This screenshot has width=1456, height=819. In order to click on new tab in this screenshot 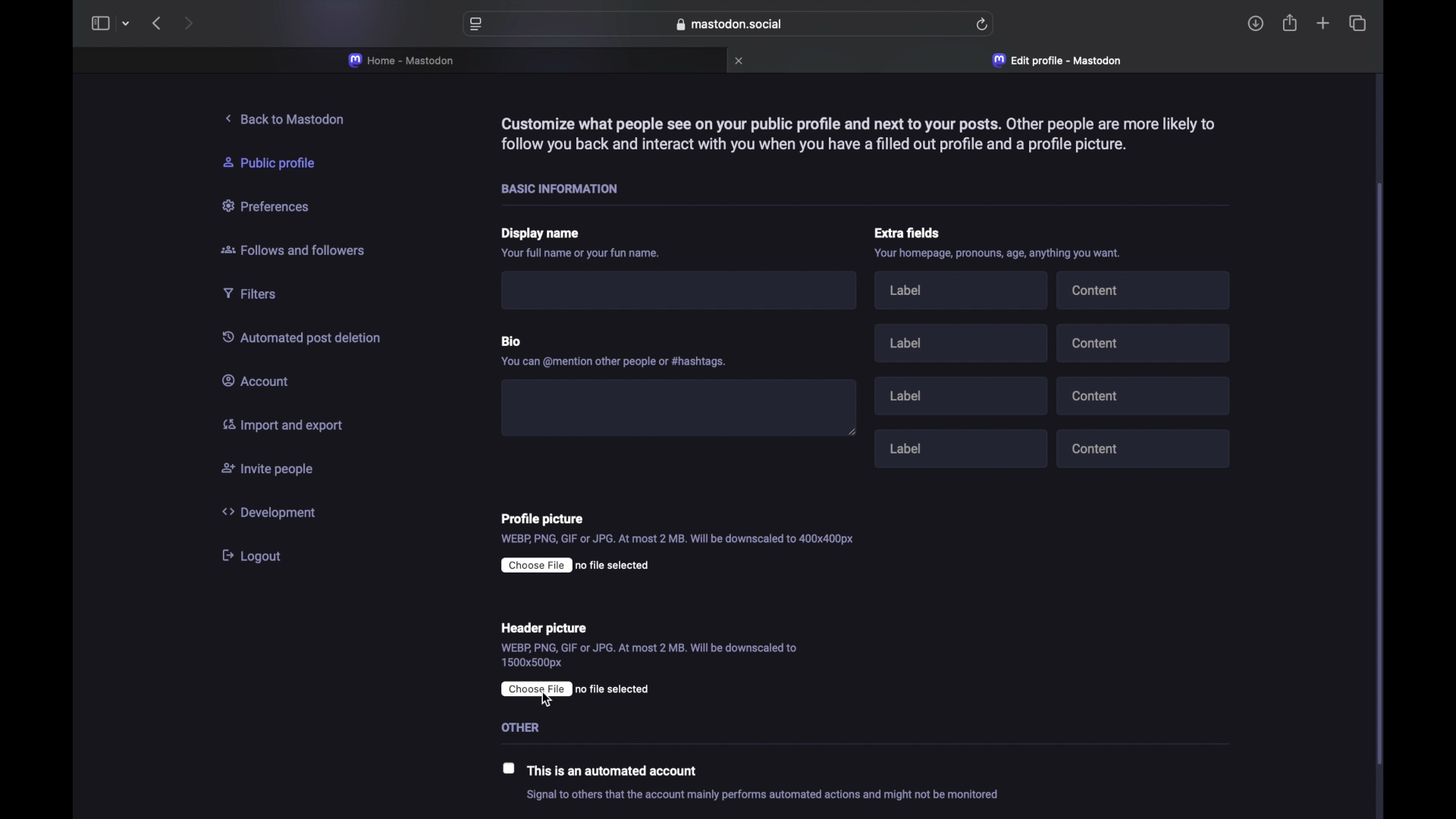, I will do `click(1323, 25)`.